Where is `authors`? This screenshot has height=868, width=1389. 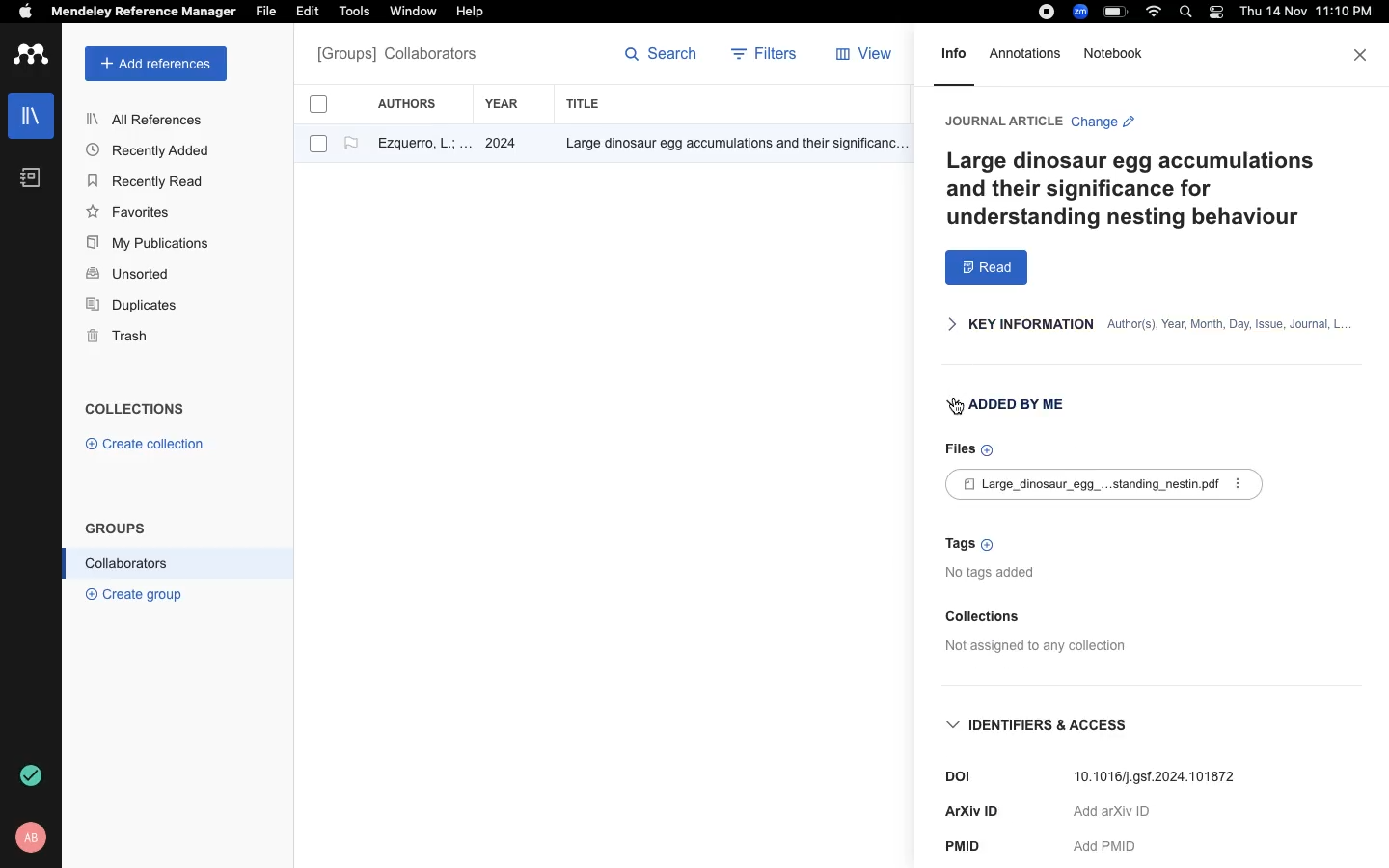
authors is located at coordinates (418, 103).